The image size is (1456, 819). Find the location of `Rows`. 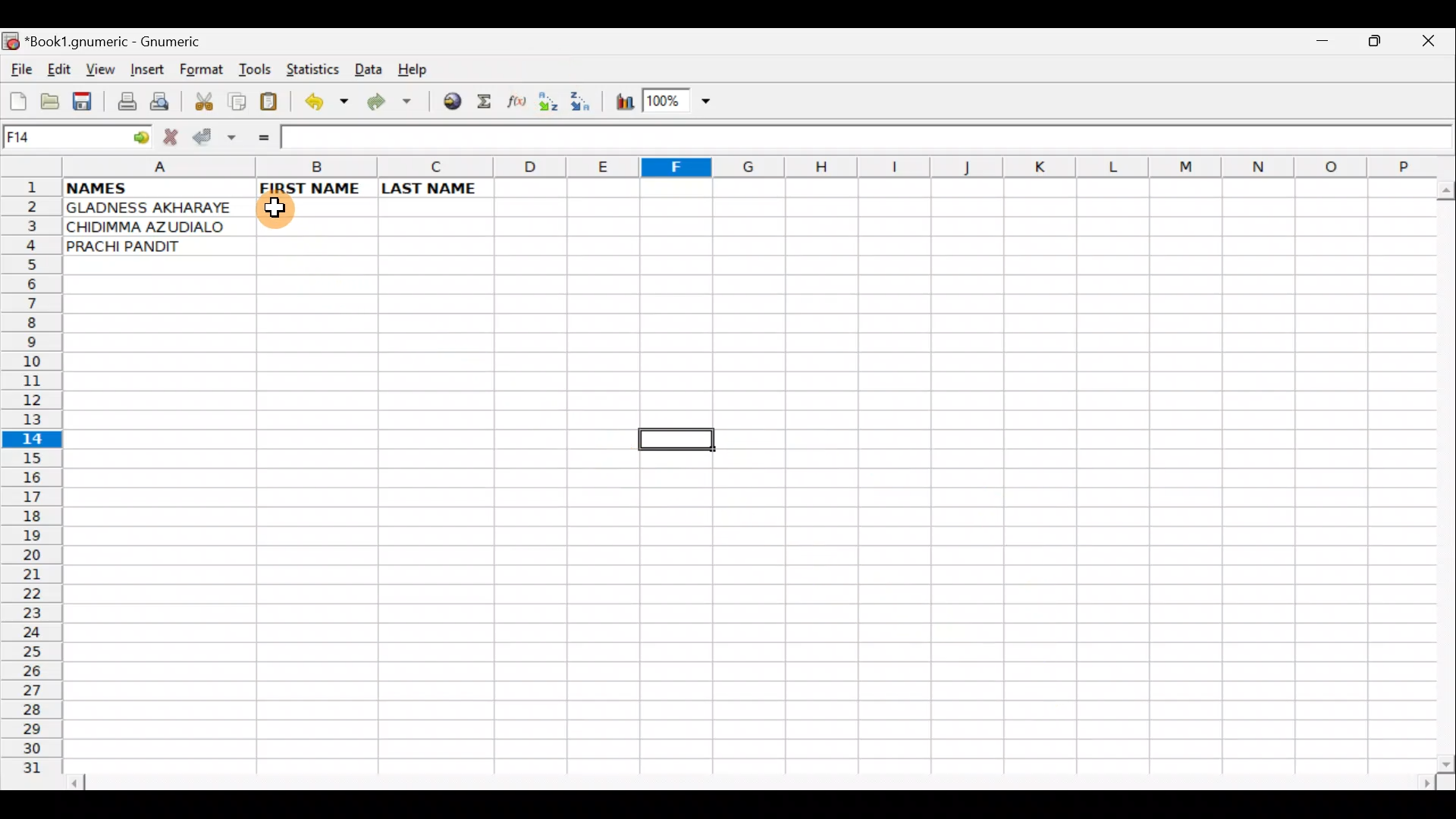

Rows is located at coordinates (32, 484).